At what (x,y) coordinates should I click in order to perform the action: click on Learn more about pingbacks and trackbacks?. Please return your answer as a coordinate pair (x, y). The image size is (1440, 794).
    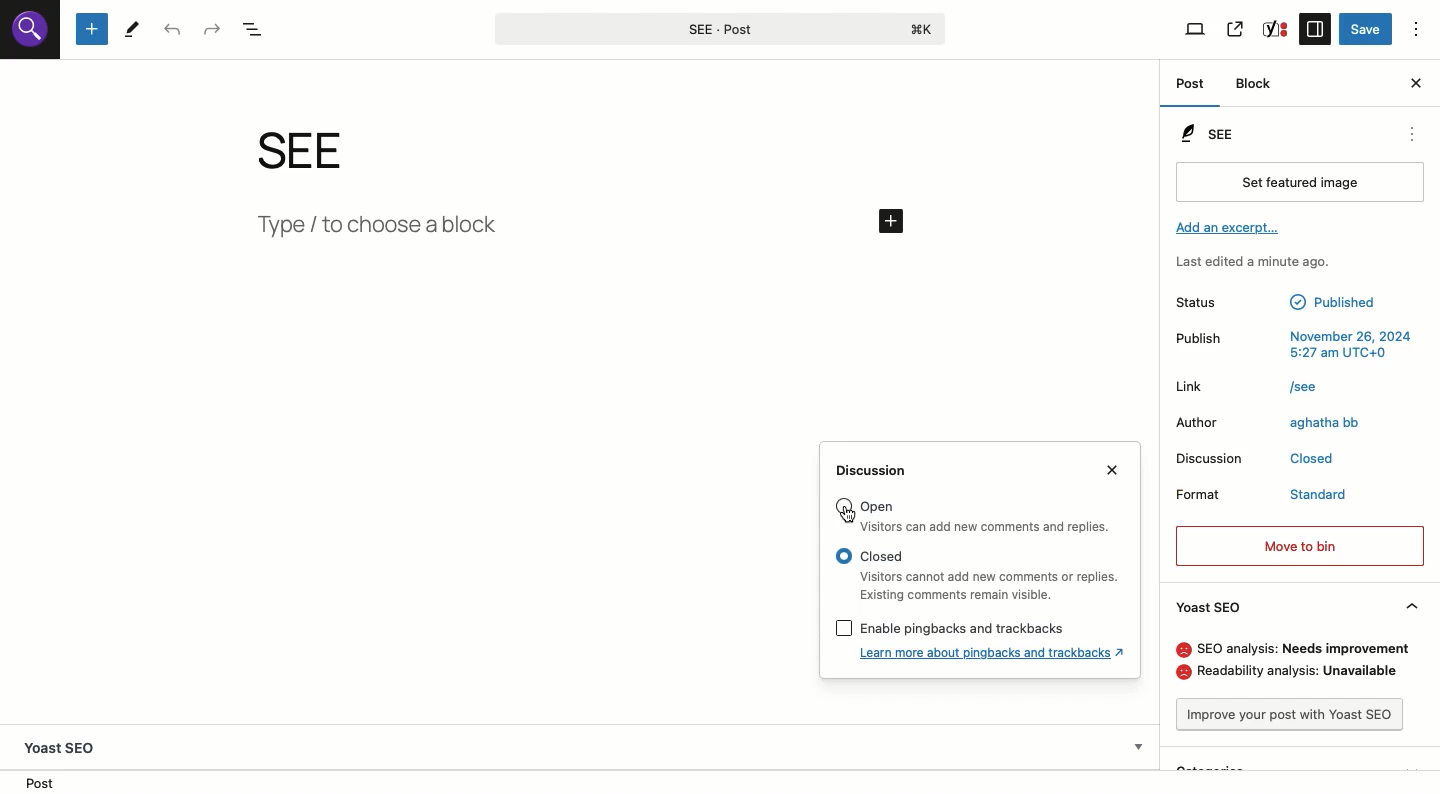
    Looking at the image, I should click on (989, 658).